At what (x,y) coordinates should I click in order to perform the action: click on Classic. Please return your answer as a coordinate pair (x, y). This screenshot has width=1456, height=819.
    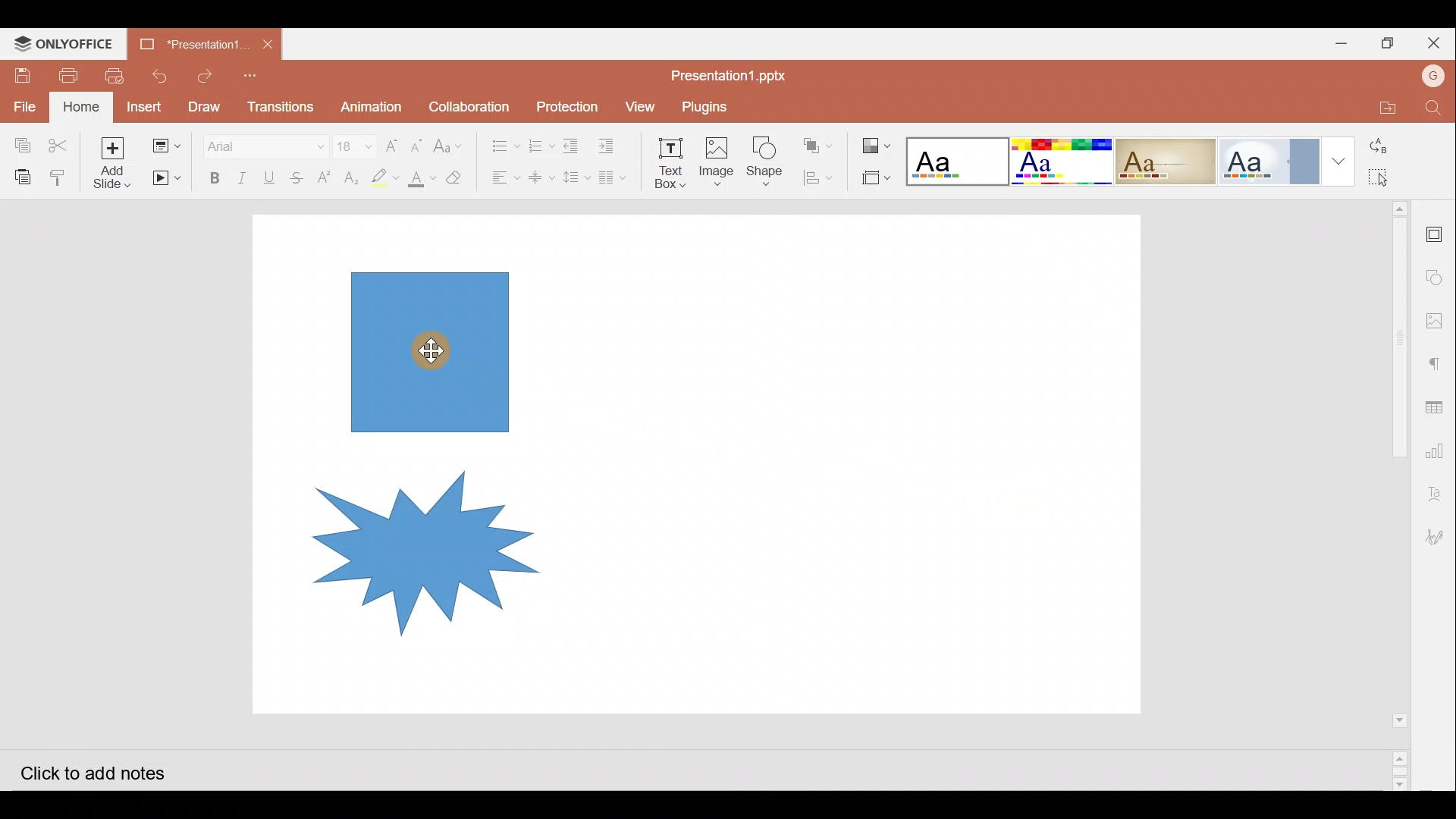
    Looking at the image, I should click on (1166, 158).